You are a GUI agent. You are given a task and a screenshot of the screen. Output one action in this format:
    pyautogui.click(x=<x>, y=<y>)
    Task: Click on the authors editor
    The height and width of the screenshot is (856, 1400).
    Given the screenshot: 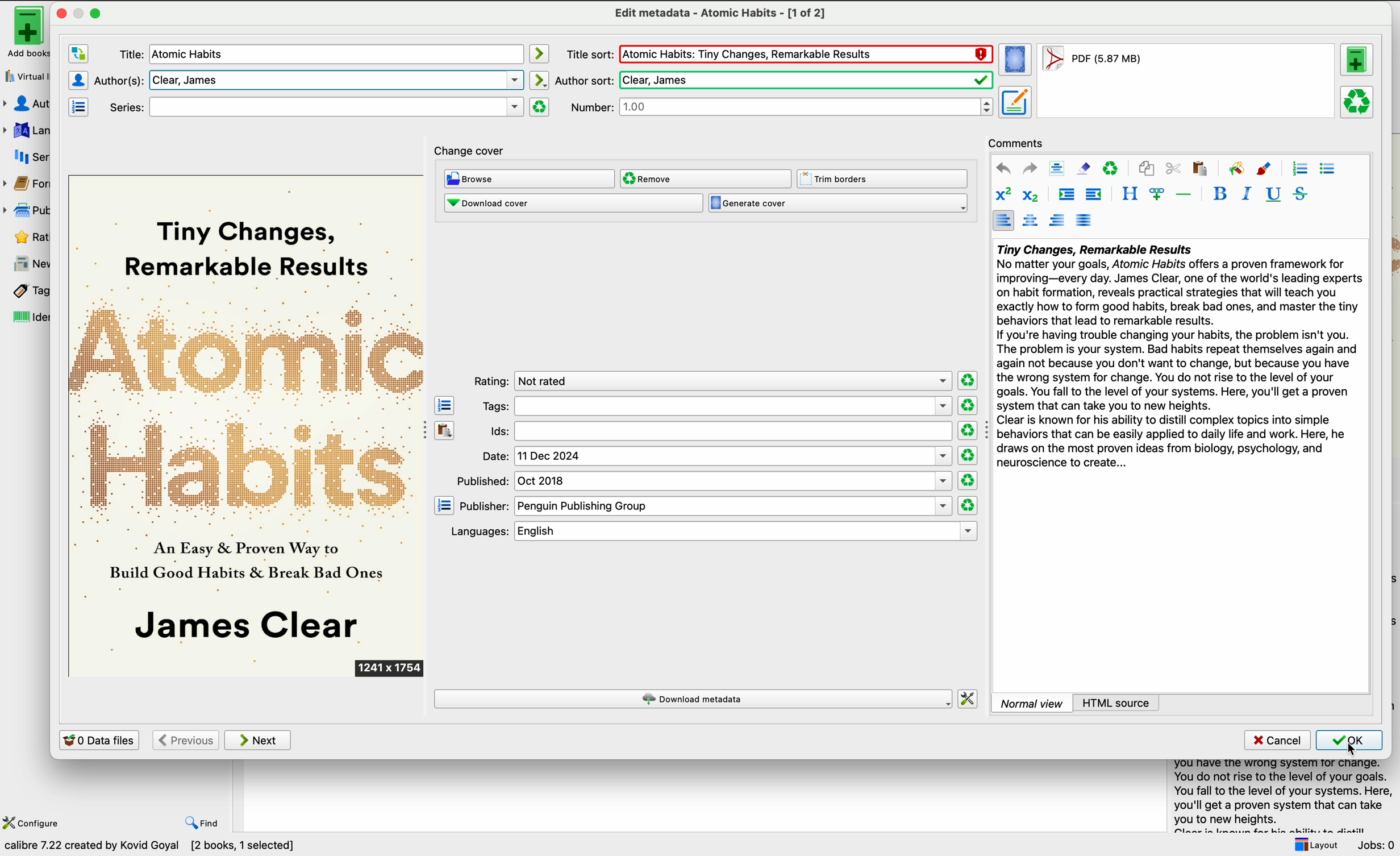 What is the action you would take?
    pyautogui.click(x=78, y=80)
    